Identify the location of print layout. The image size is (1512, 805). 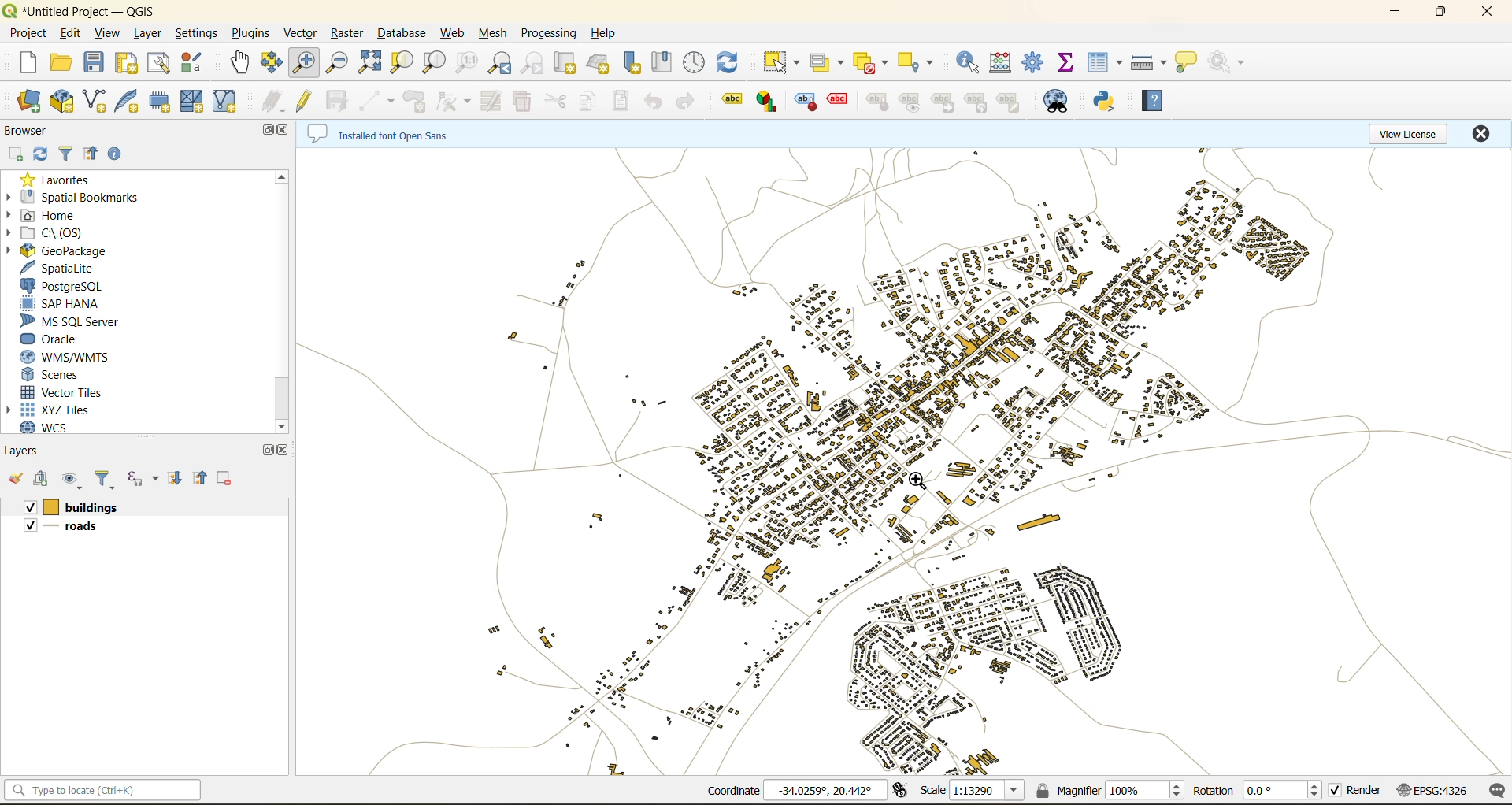
(130, 63).